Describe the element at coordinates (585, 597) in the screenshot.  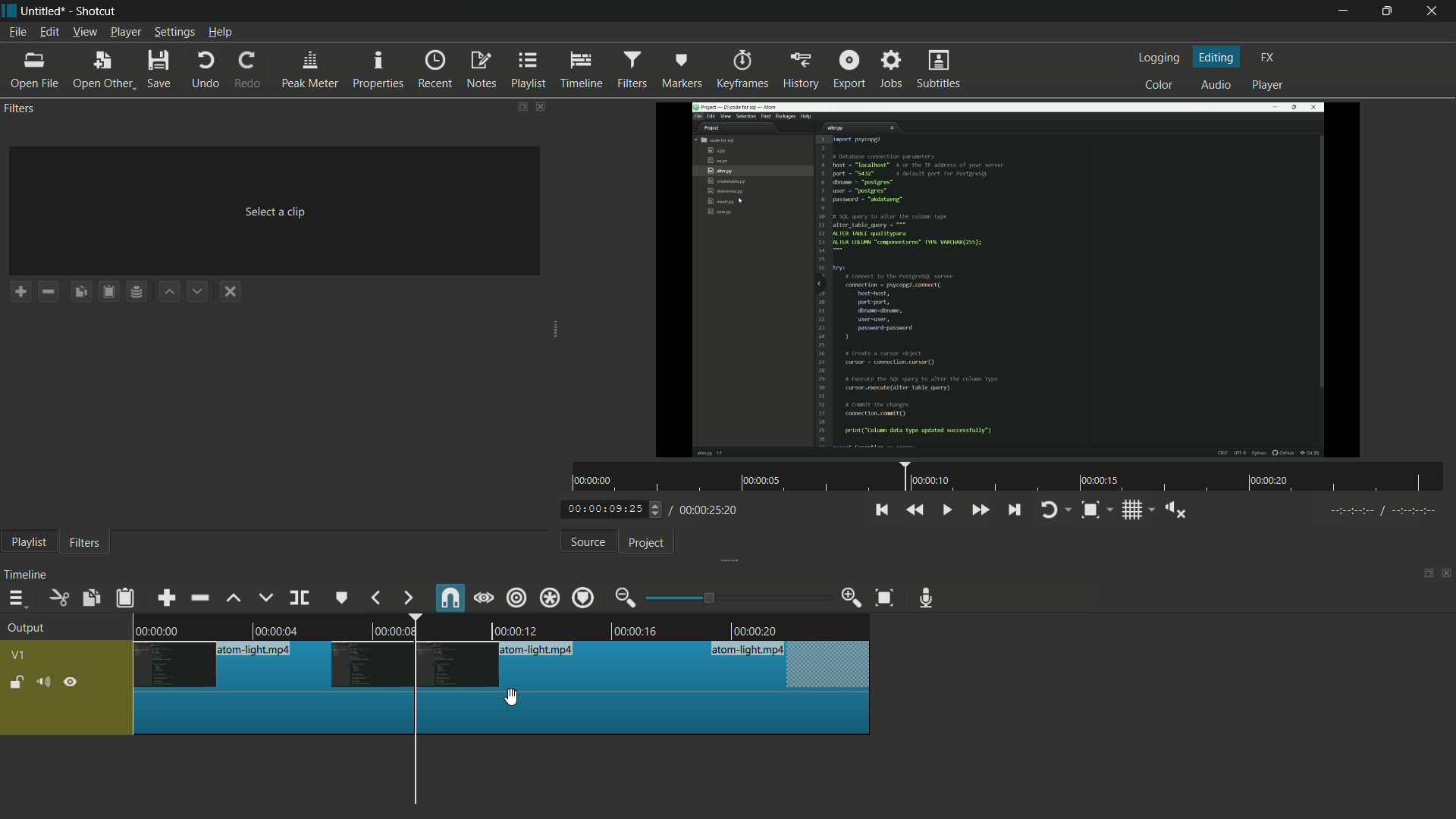
I see `ripple markers` at that location.